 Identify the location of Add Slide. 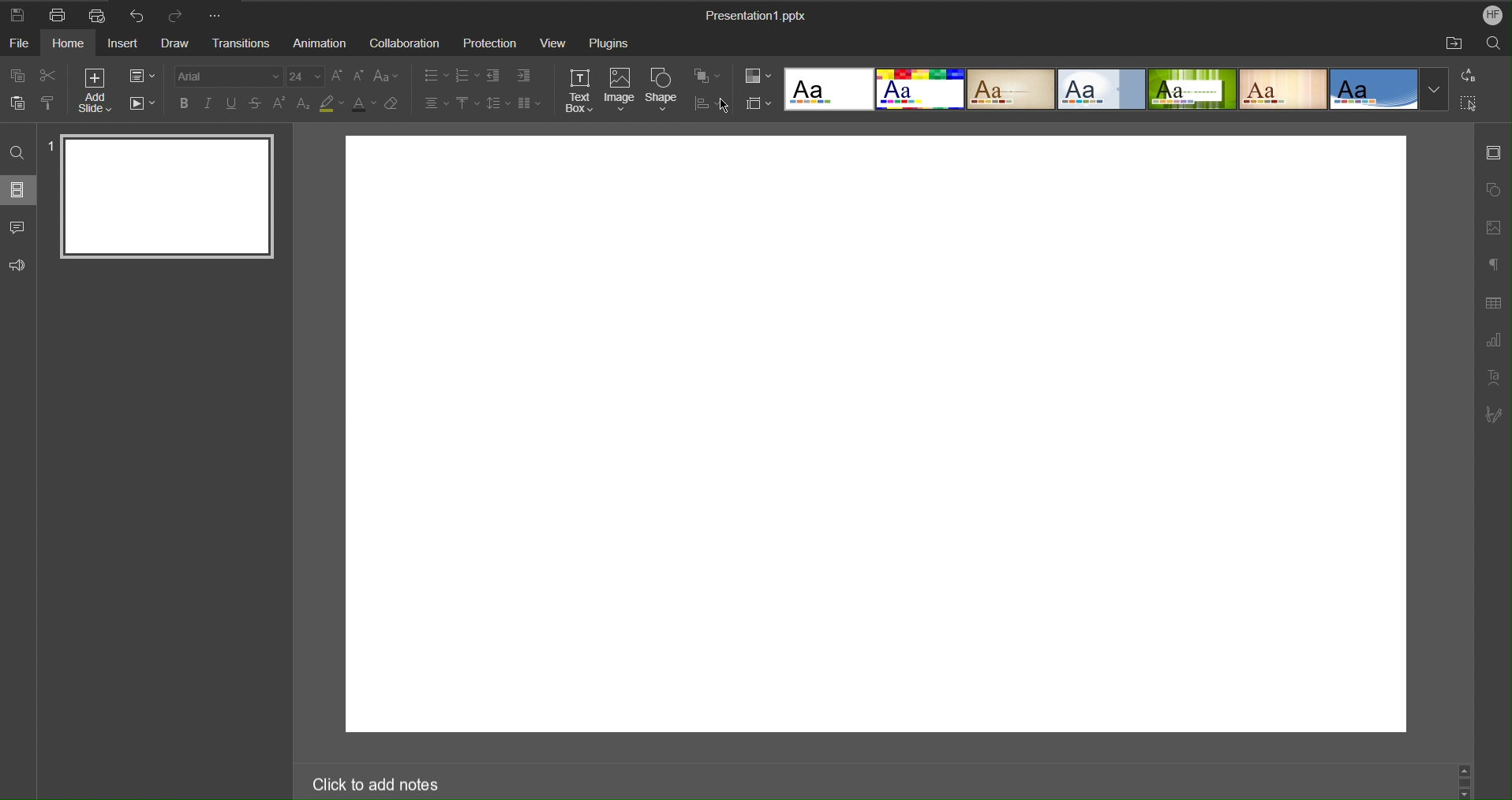
(98, 90).